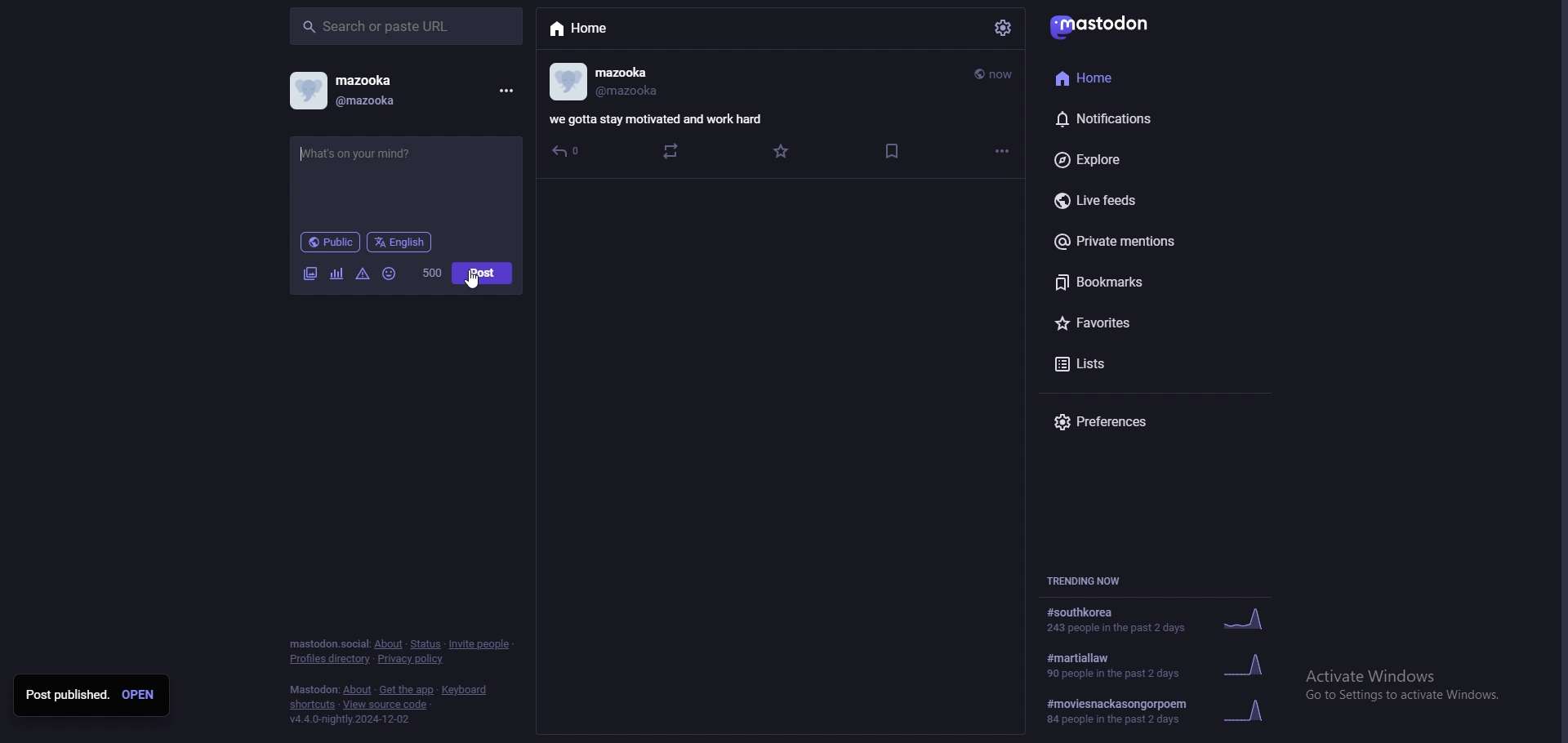 Image resolution: width=1568 pixels, height=743 pixels. What do you see at coordinates (567, 152) in the screenshot?
I see `reply` at bounding box center [567, 152].